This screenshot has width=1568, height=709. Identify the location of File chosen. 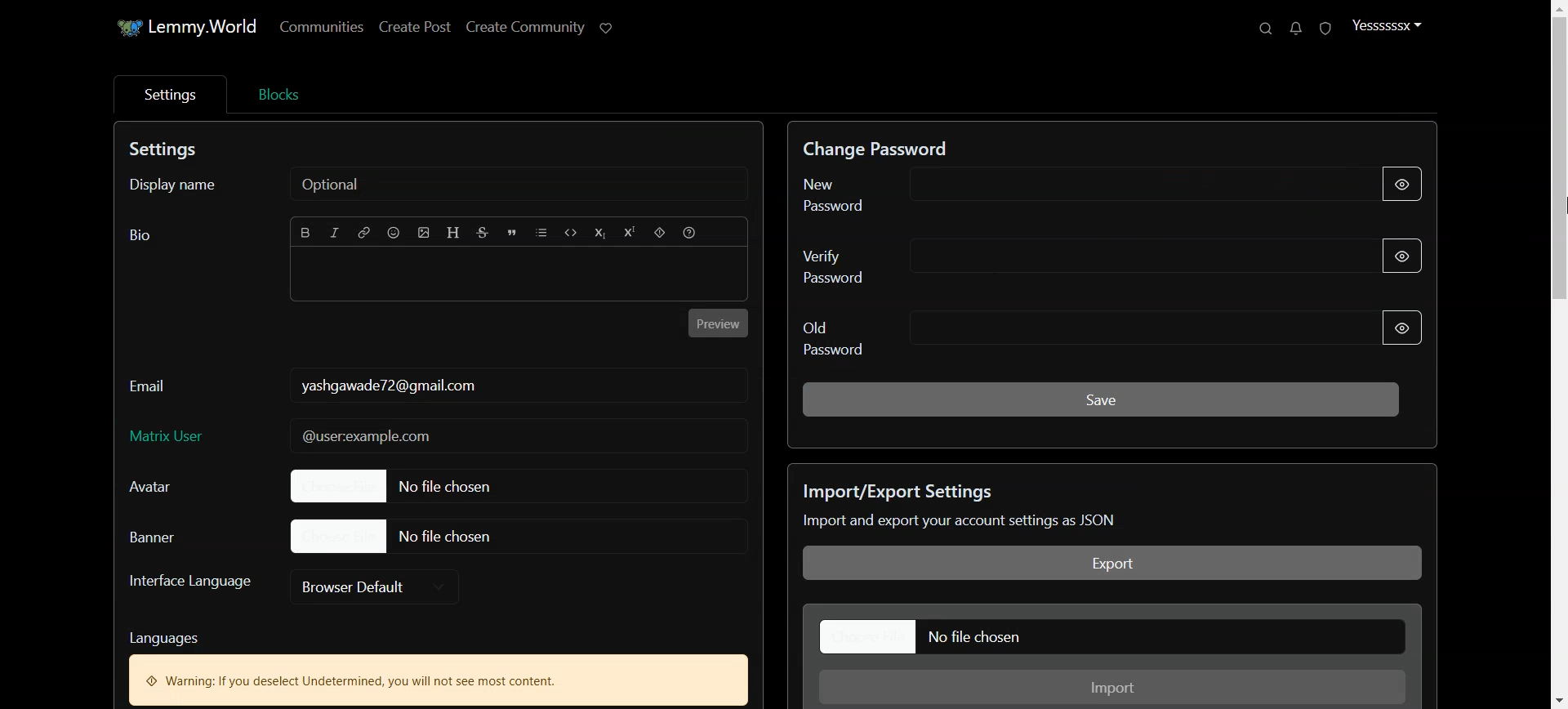
(521, 487).